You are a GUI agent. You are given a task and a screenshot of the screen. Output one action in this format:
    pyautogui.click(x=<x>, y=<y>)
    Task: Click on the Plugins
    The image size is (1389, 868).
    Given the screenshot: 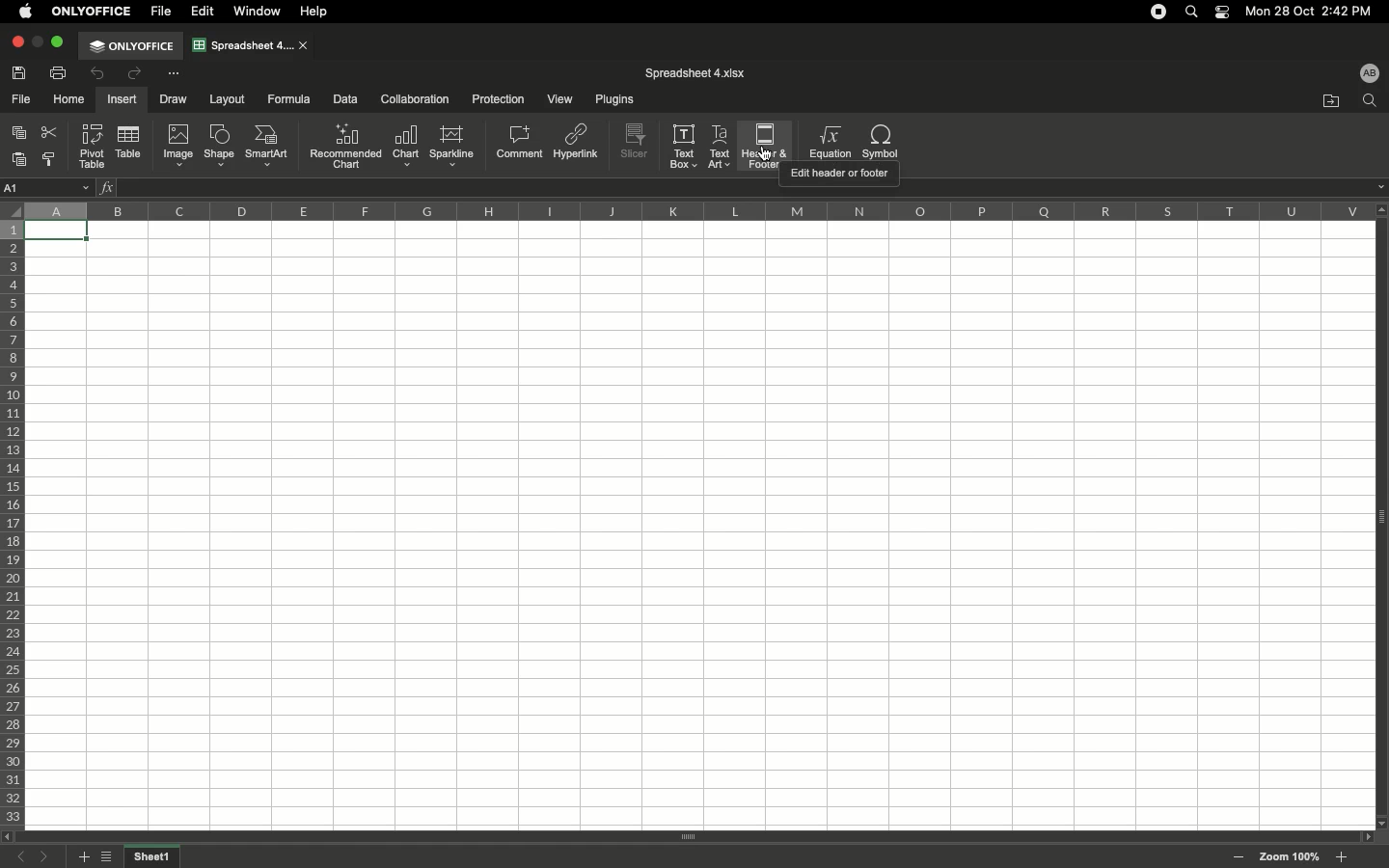 What is the action you would take?
    pyautogui.click(x=612, y=100)
    